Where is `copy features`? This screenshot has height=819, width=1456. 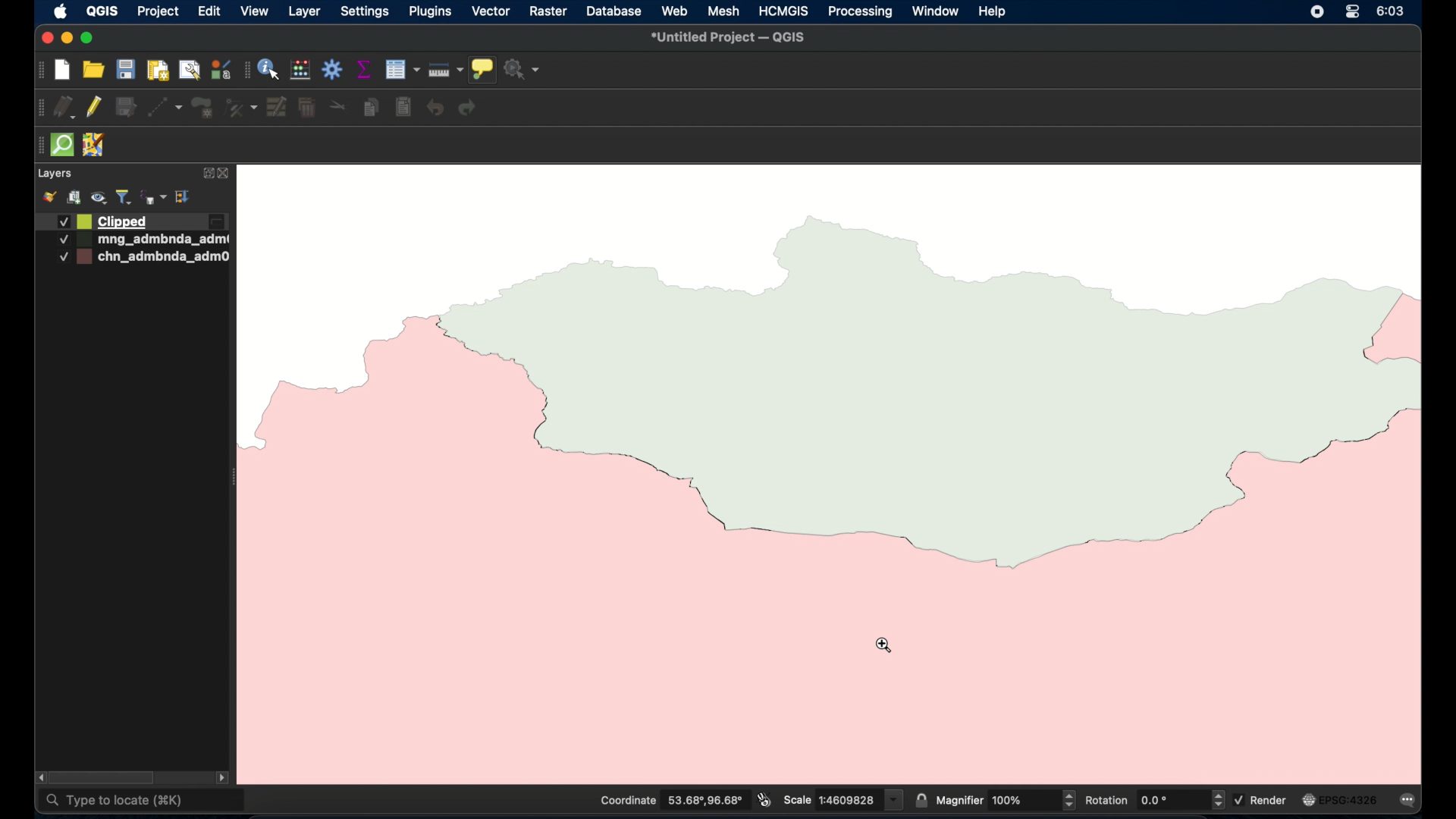
copy features is located at coordinates (372, 108).